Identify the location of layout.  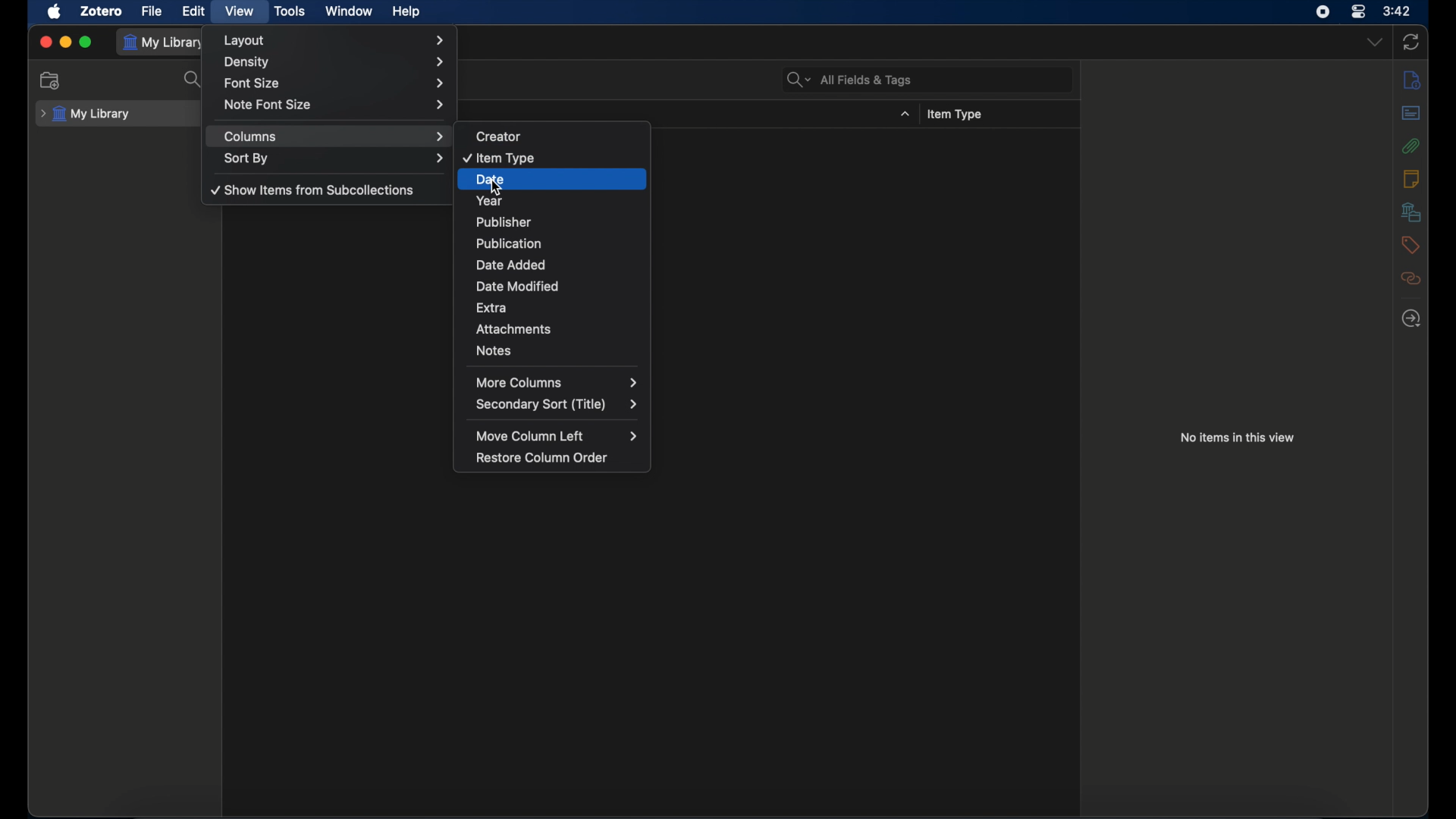
(334, 40).